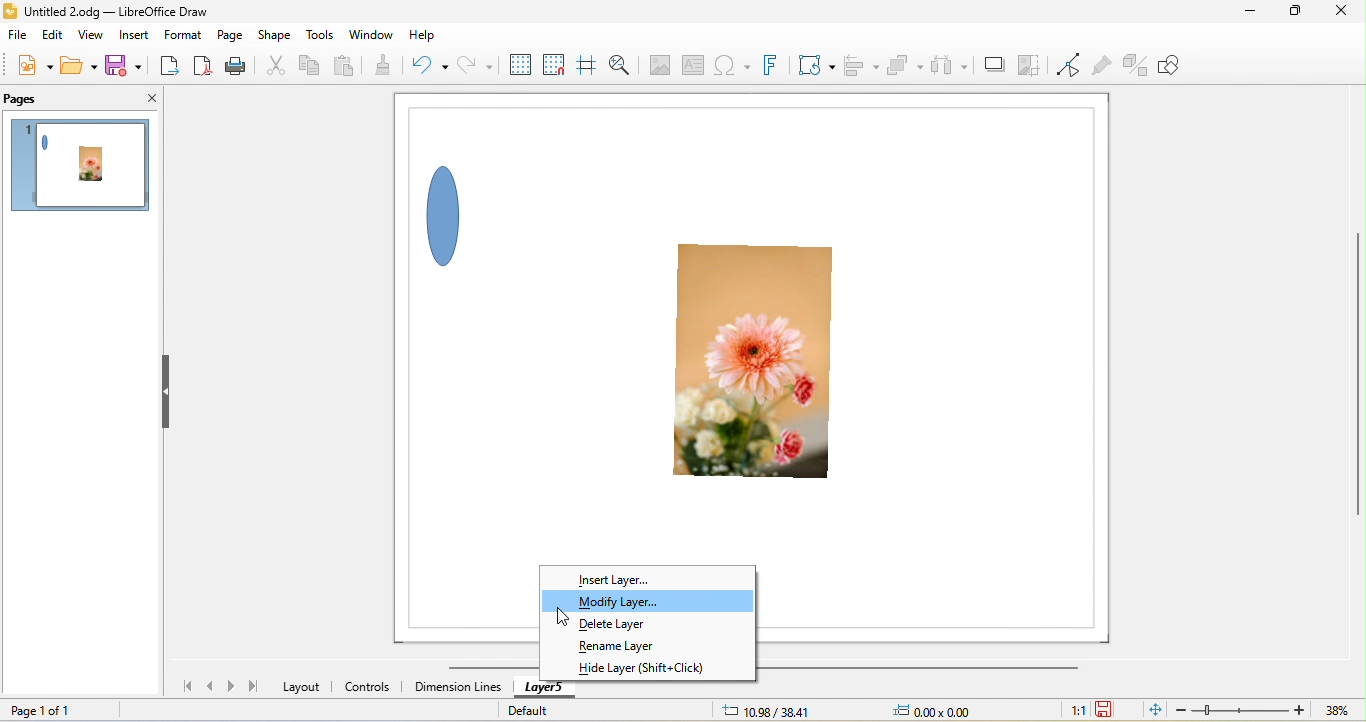 This screenshot has height=722, width=1366. I want to click on text box, so click(694, 66).